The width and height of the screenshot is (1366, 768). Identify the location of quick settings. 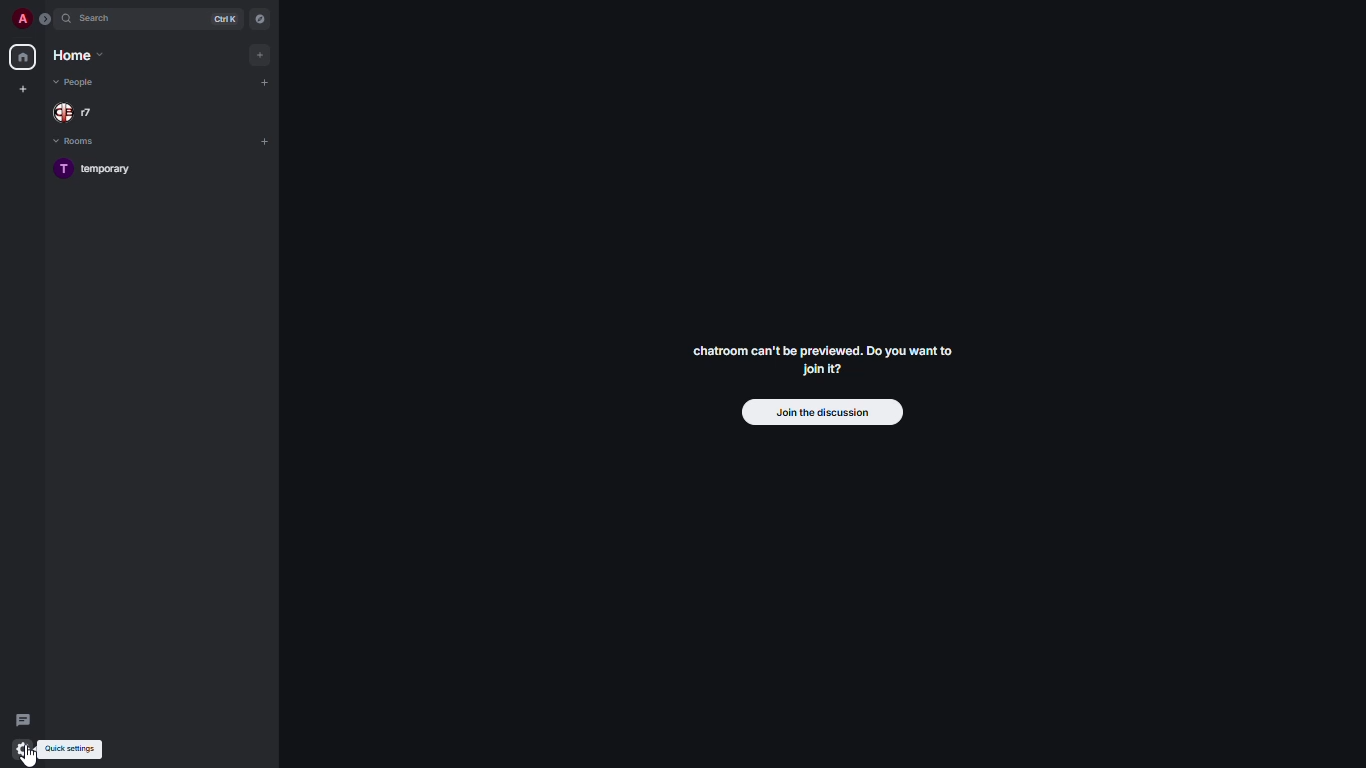
(24, 746).